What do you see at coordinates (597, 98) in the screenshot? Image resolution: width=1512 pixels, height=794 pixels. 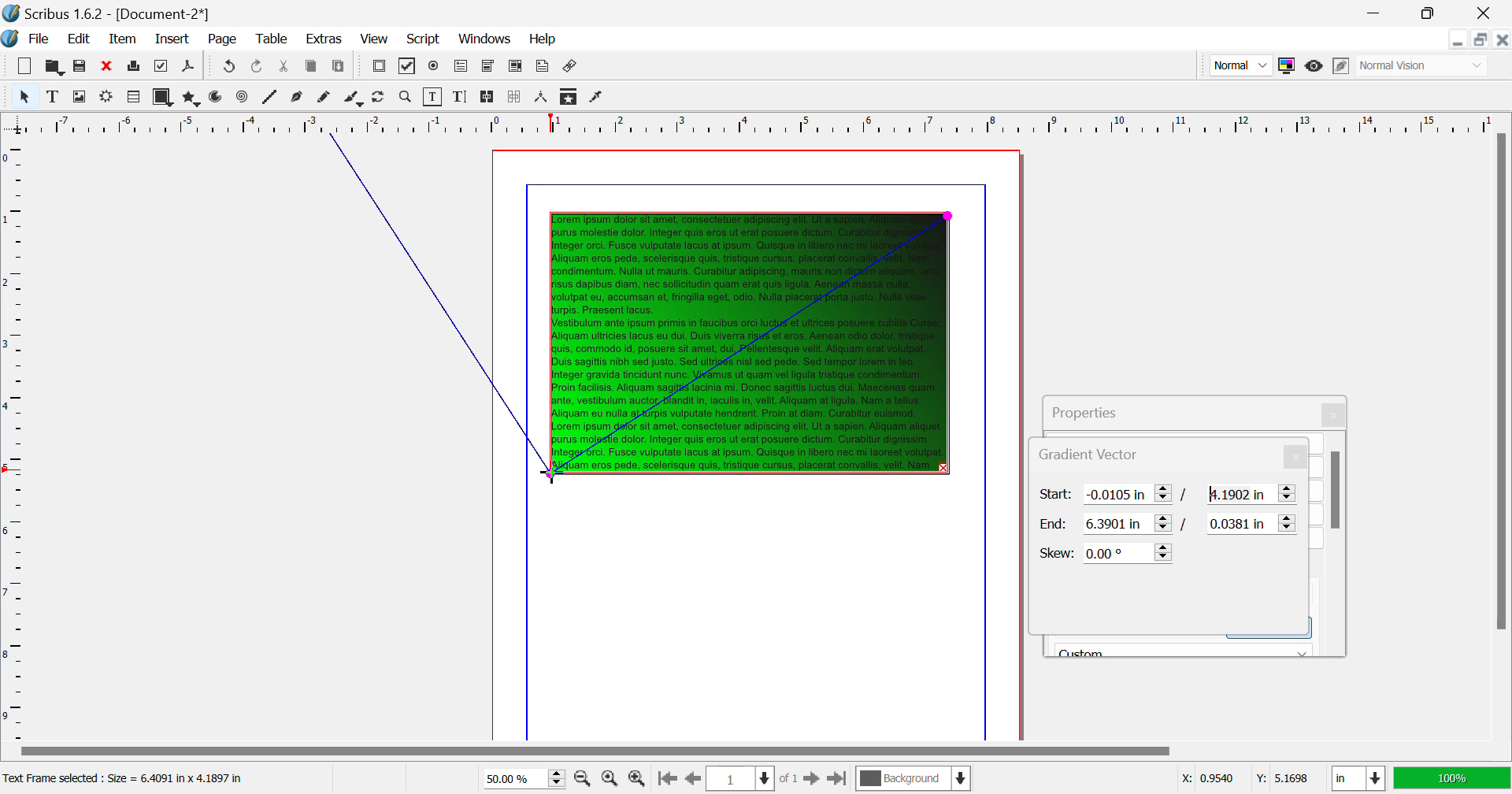 I see `Eyedropper` at bounding box center [597, 98].